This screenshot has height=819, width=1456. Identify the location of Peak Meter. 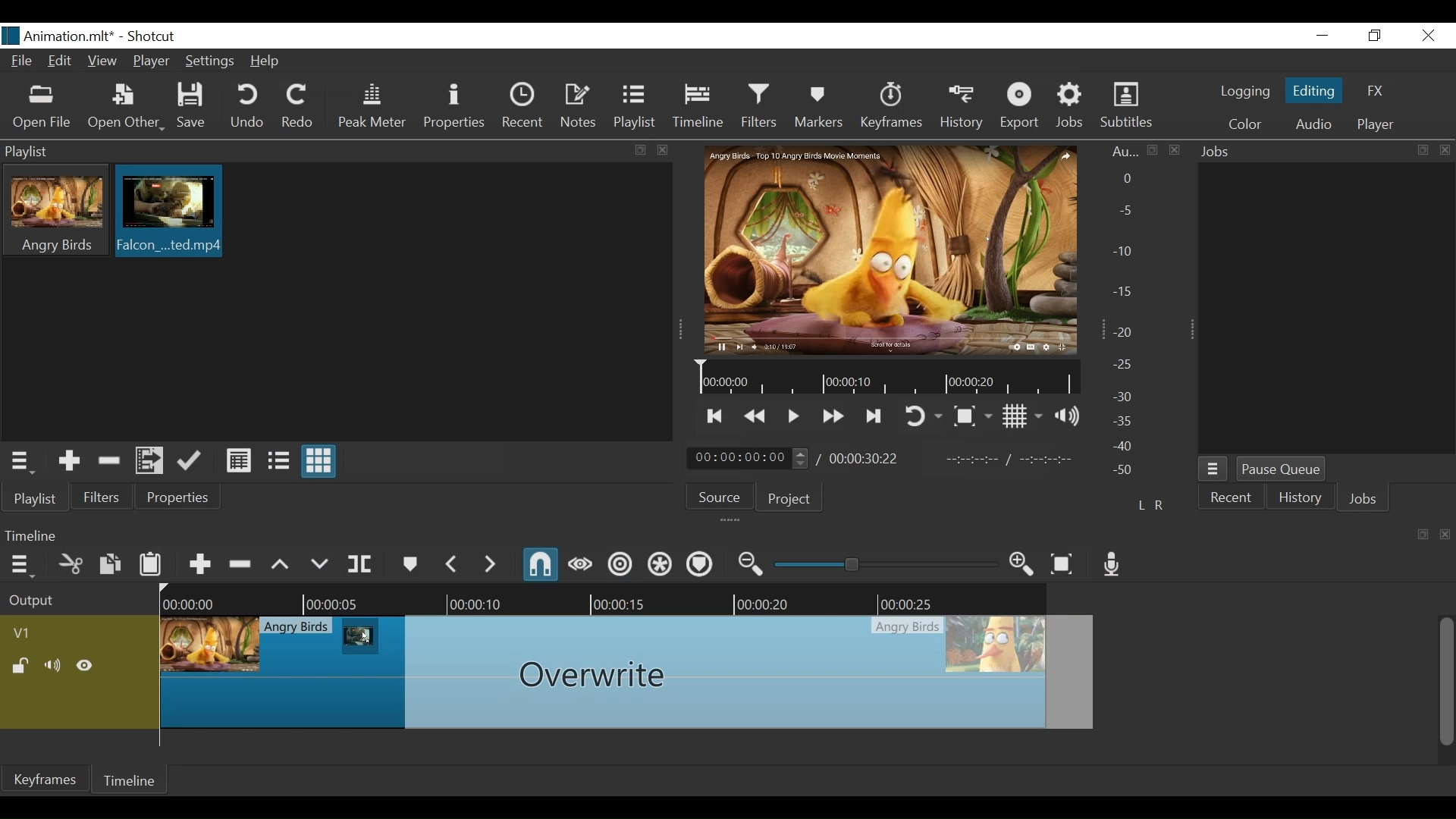
(372, 108).